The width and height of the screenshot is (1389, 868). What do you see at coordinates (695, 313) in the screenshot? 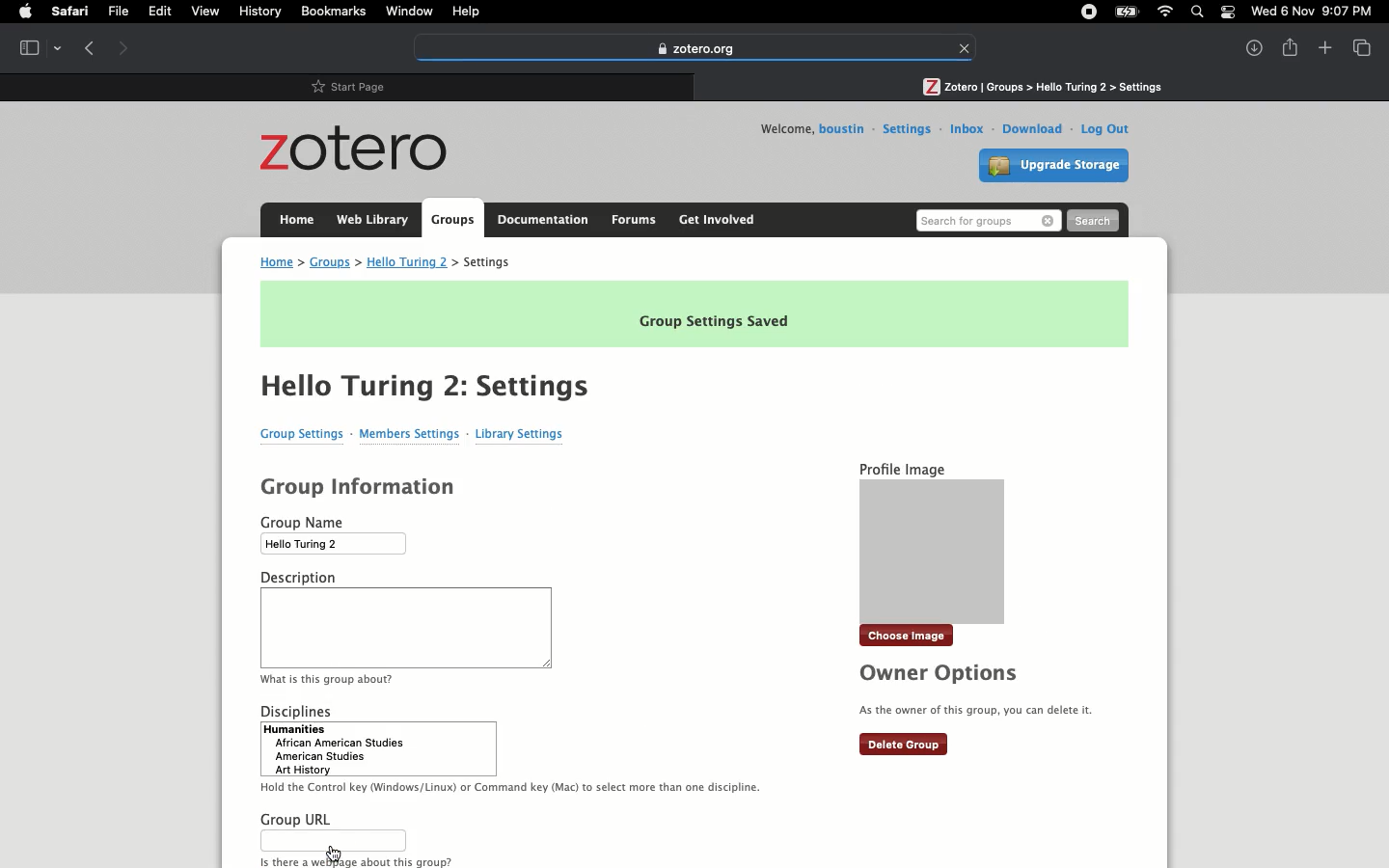
I see `Group settings save` at bounding box center [695, 313].